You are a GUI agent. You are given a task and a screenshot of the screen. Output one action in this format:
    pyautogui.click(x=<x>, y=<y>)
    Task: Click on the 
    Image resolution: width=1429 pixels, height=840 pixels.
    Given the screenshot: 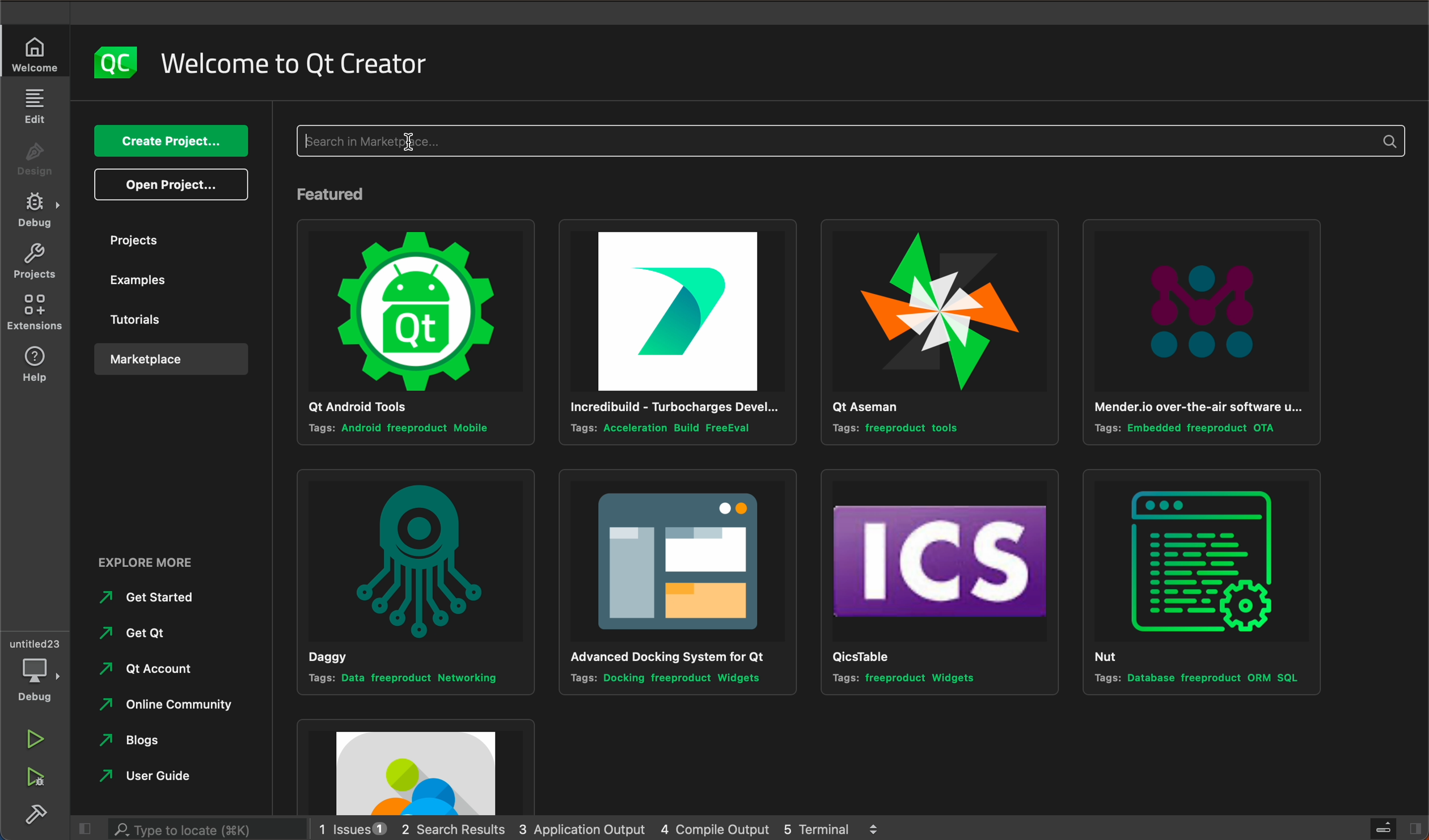 What is the action you would take?
    pyautogui.click(x=677, y=582)
    